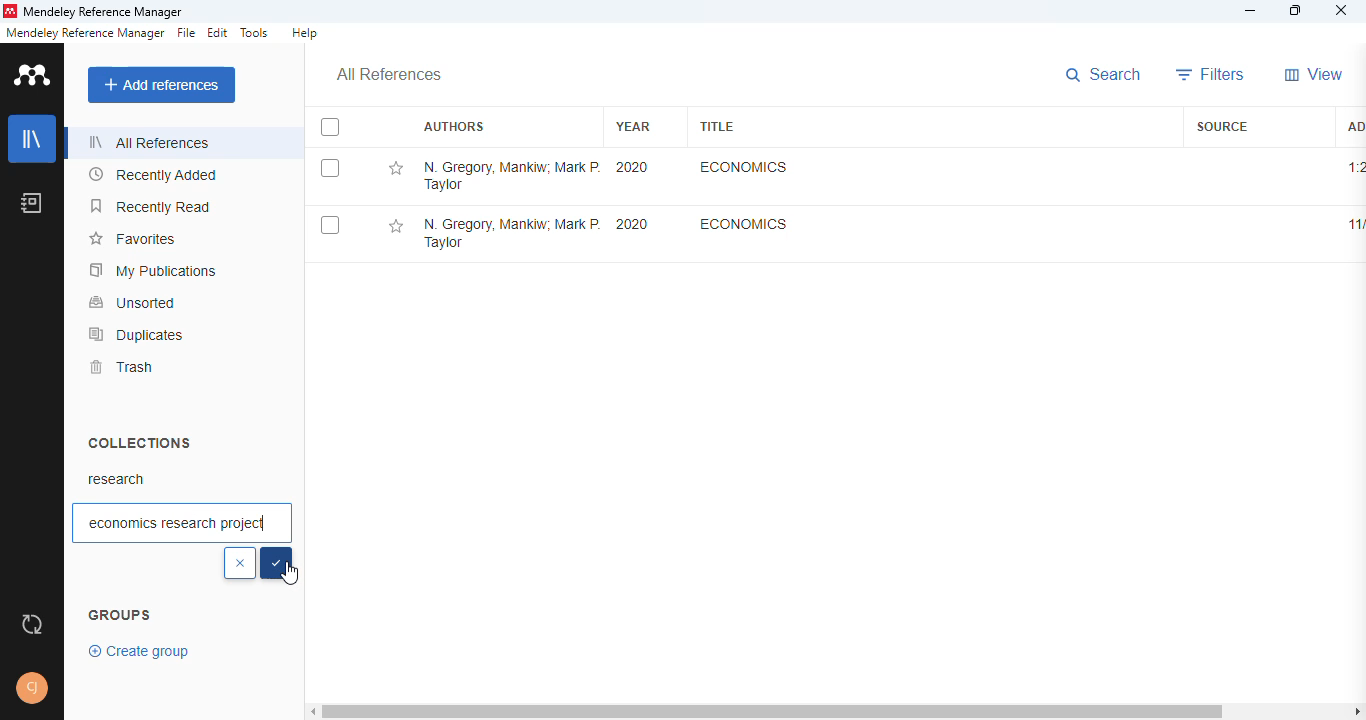  I want to click on logo, so click(9, 11).